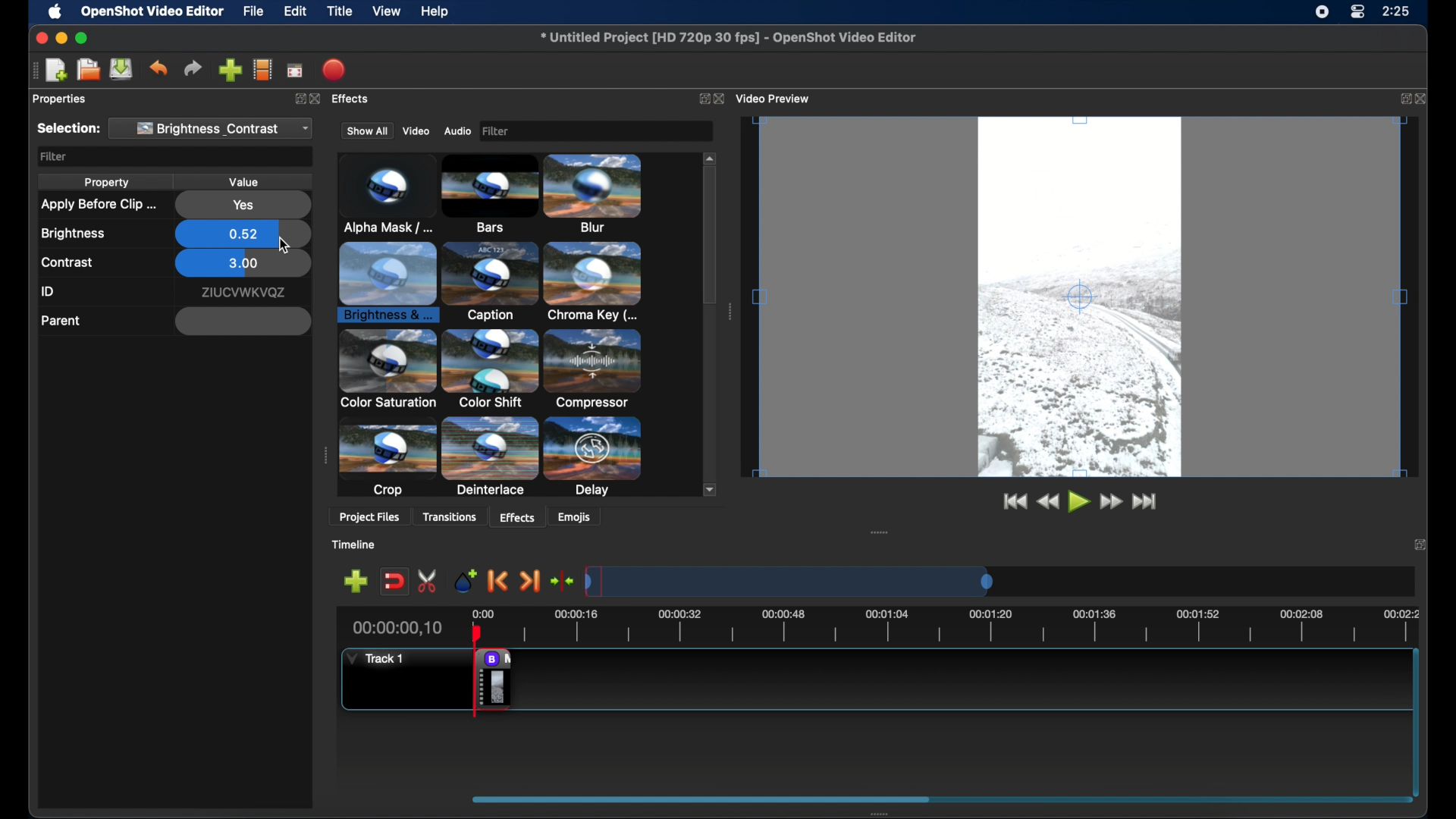  Describe the element at coordinates (515, 516) in the screenshot. I see `effects` at that location.